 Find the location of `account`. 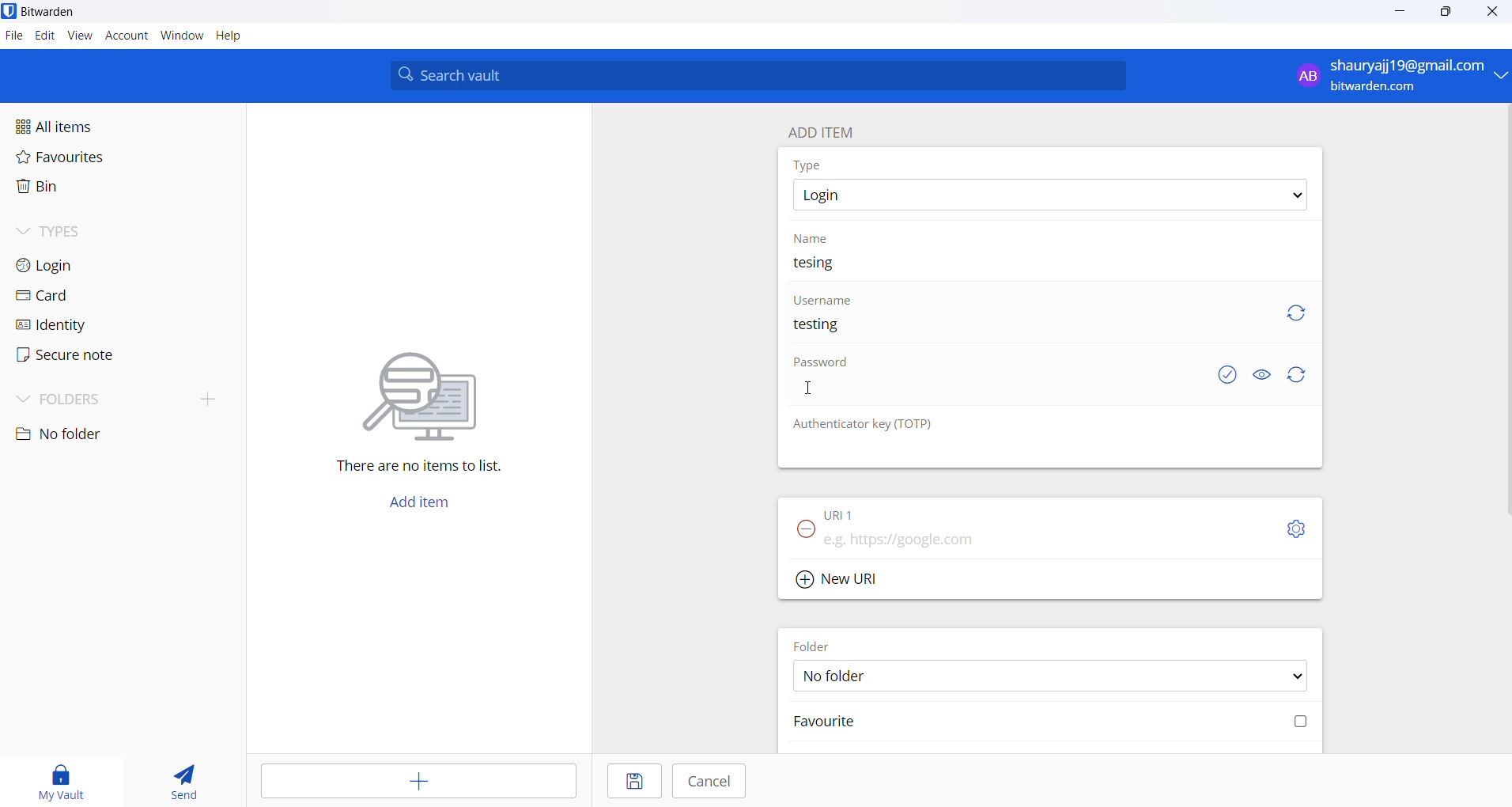

account is located at coordinates (127, 37).